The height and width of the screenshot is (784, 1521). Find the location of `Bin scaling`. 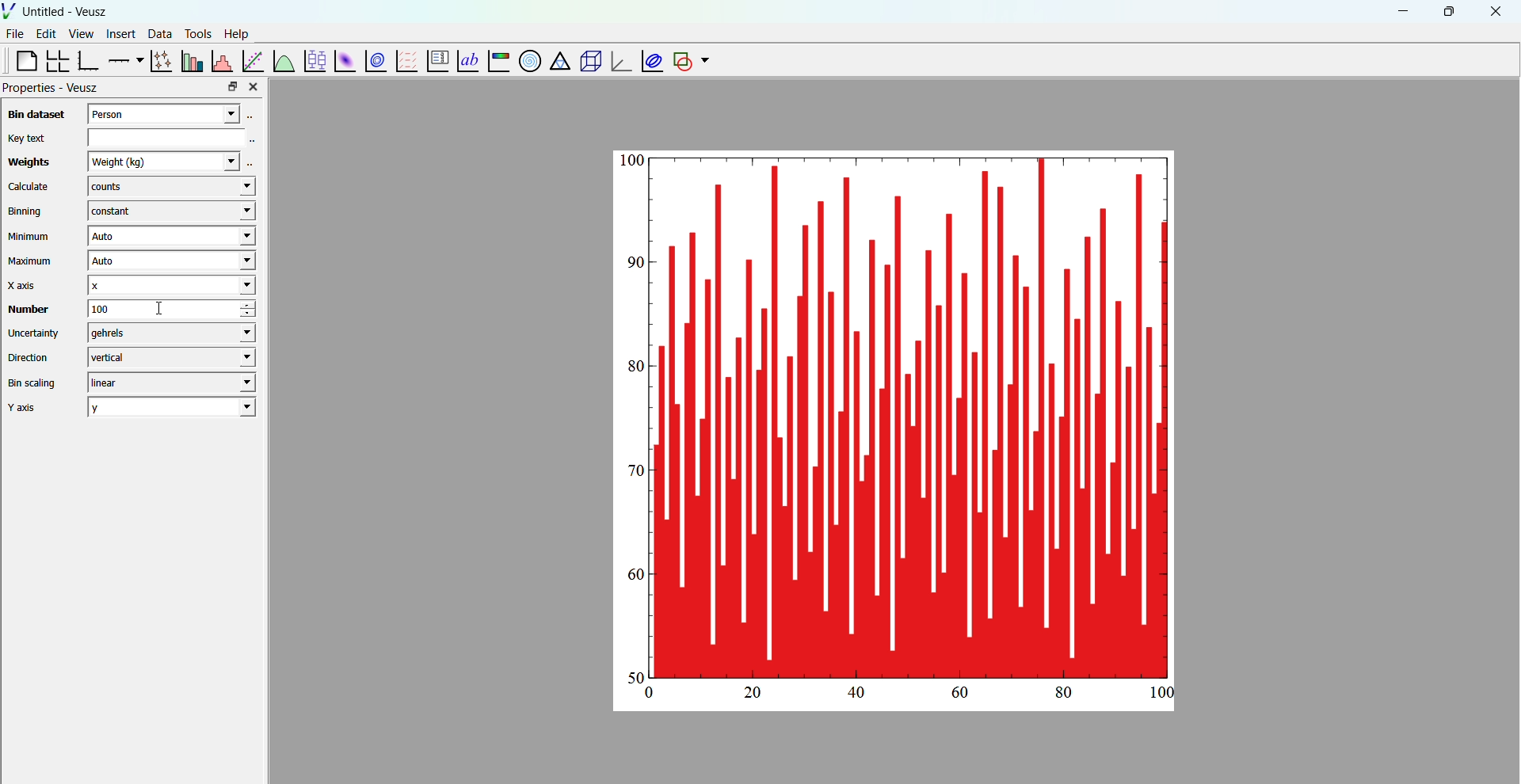

Bin scaling is located at coordinates (32, 383).